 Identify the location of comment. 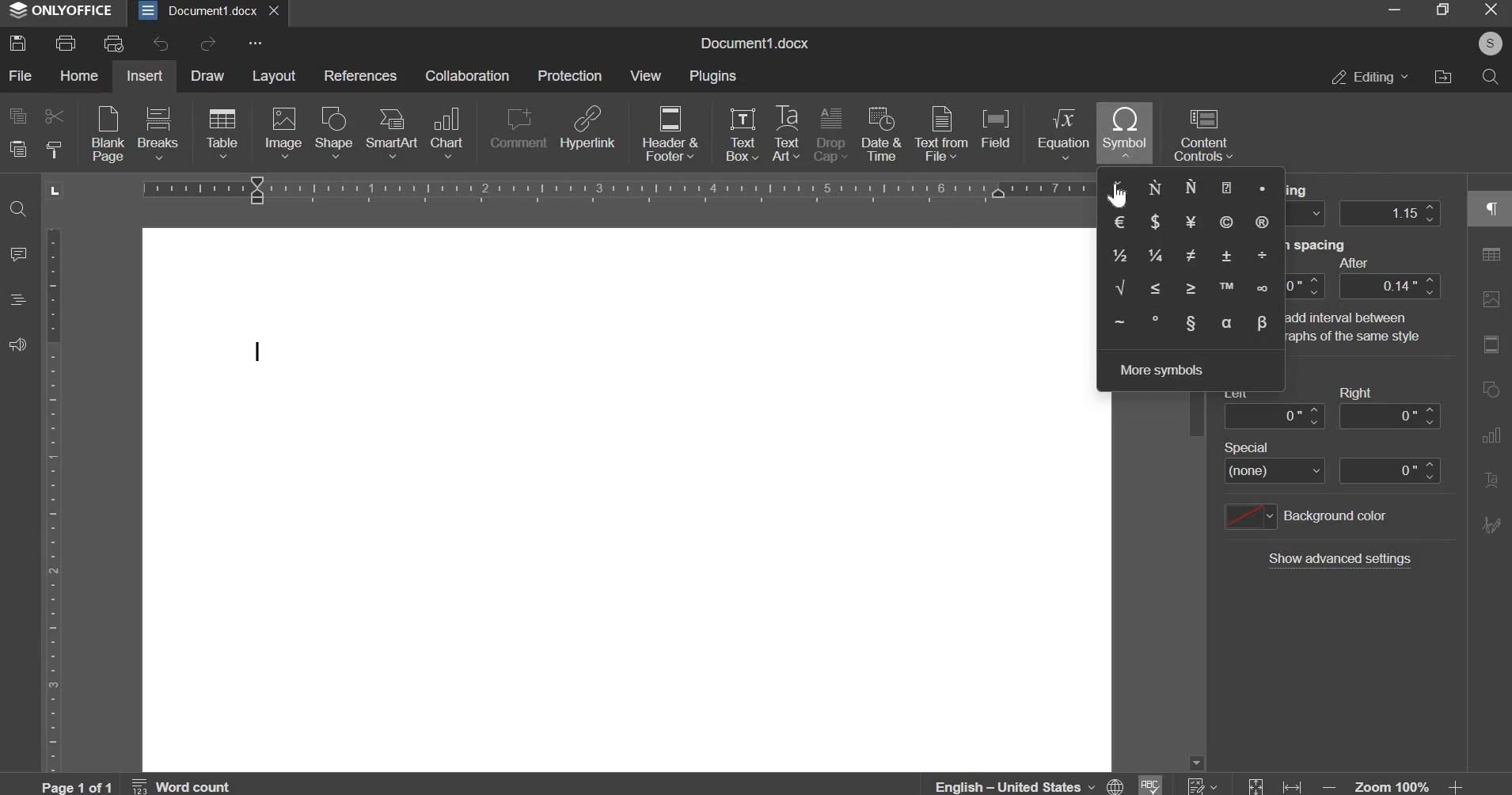
(19, 253).